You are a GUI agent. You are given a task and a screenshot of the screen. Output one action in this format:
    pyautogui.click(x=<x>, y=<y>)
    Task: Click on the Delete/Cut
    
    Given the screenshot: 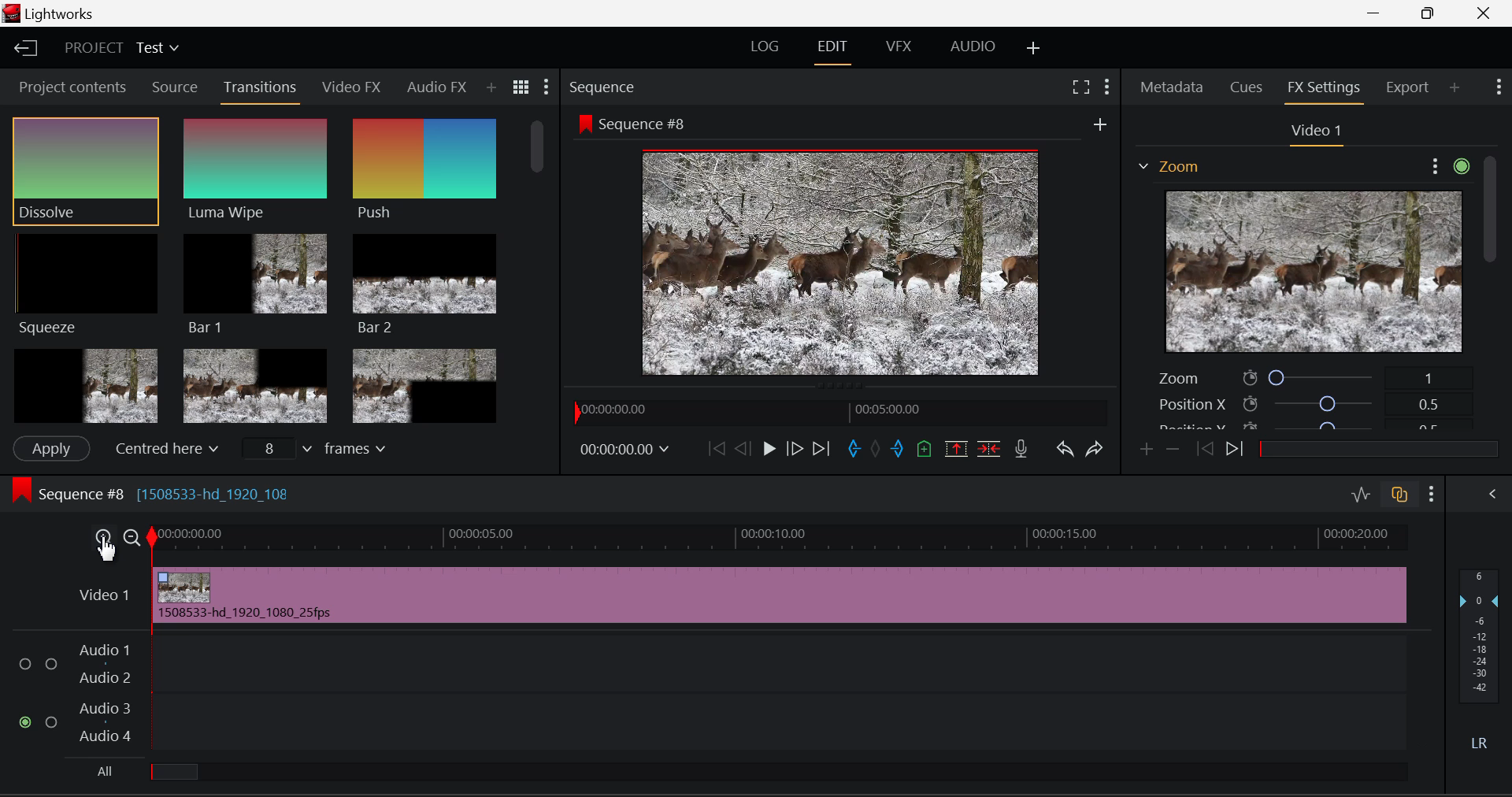 What is the action you would take?
    pyautogui.click(x=989, y=450)
    